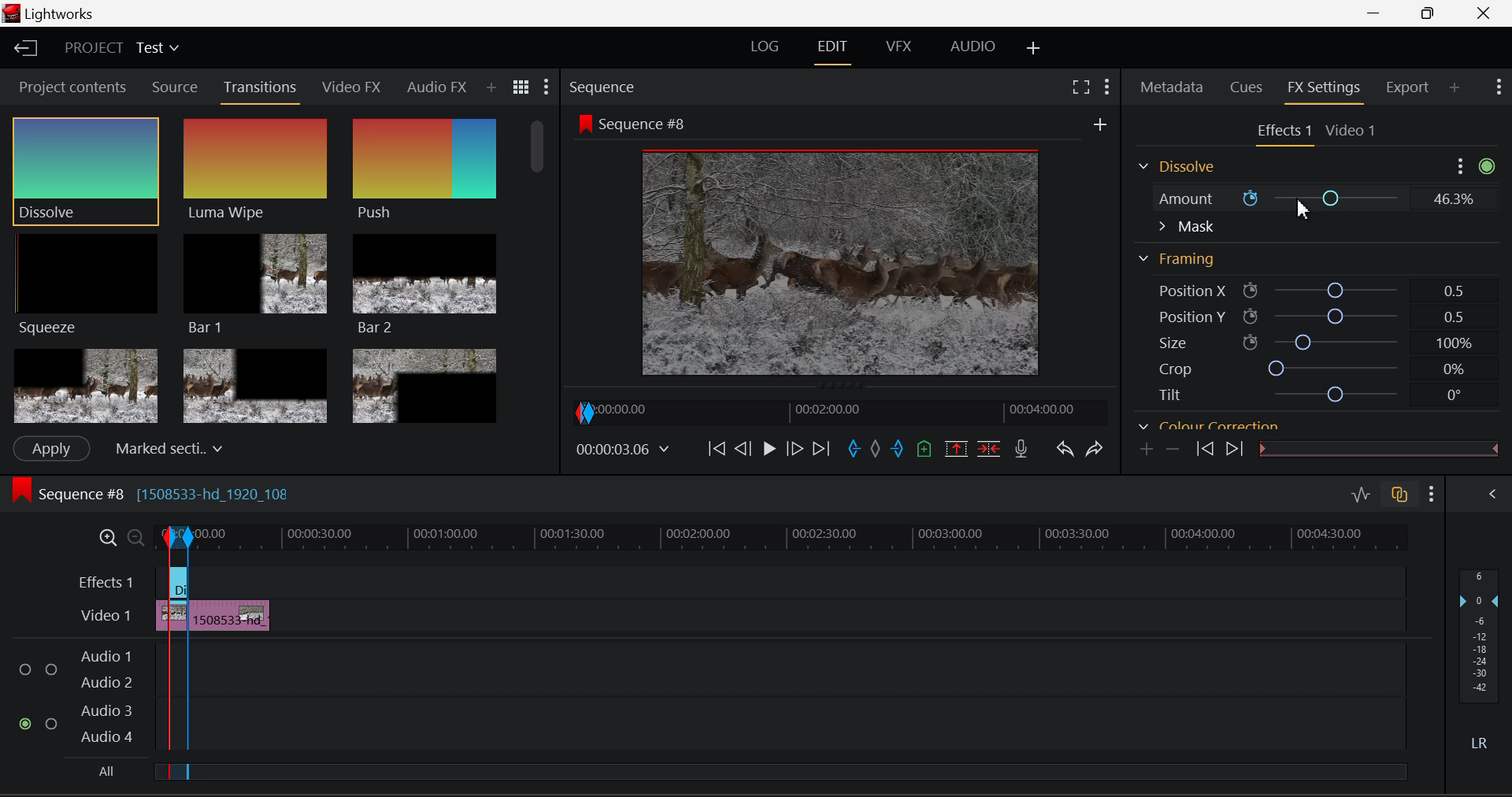 The height and width of the screenshot is (797, 1512). What do you see at coordinates (798, 724) in the screenshot?
I see `Audio Input Field` at bounding box center [798, 724].